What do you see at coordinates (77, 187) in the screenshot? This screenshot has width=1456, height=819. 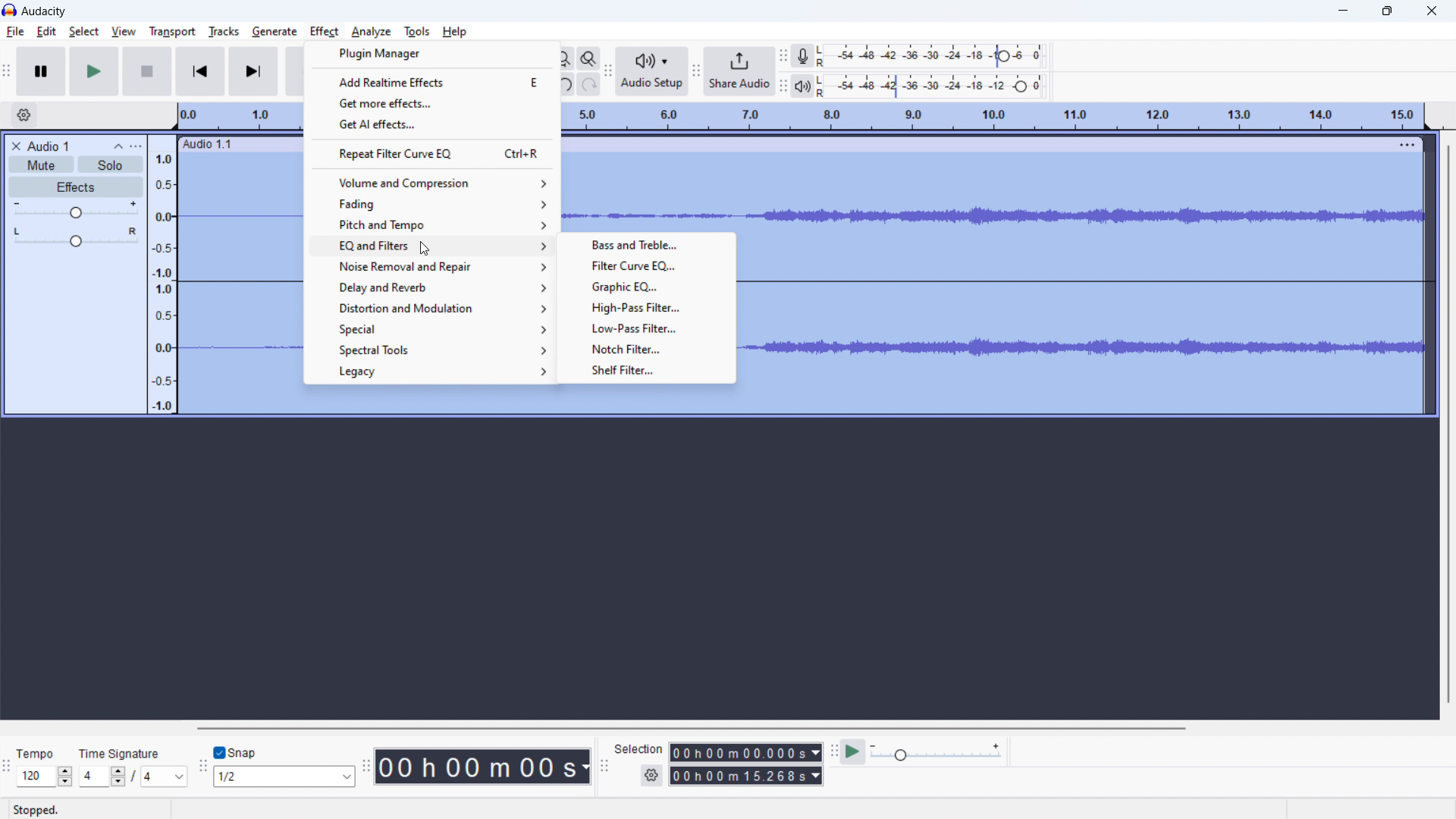 I see `effects` at bounding box center [77, 187].